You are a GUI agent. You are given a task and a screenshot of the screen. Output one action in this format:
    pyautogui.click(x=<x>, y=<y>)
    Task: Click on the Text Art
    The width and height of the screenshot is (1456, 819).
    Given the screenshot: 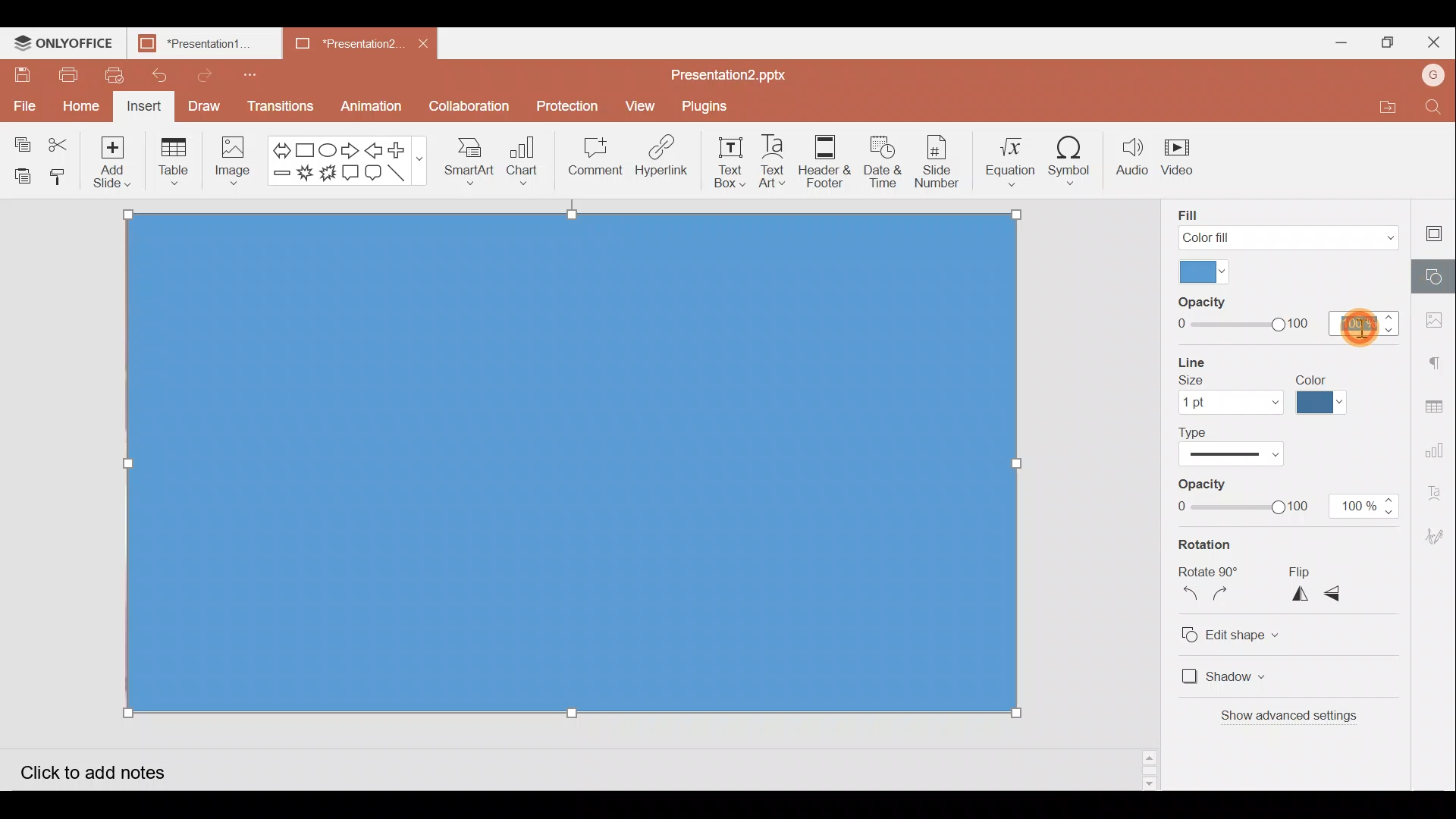 What is the action you would take?
    pyautogui.click(x=773, y=162)
    